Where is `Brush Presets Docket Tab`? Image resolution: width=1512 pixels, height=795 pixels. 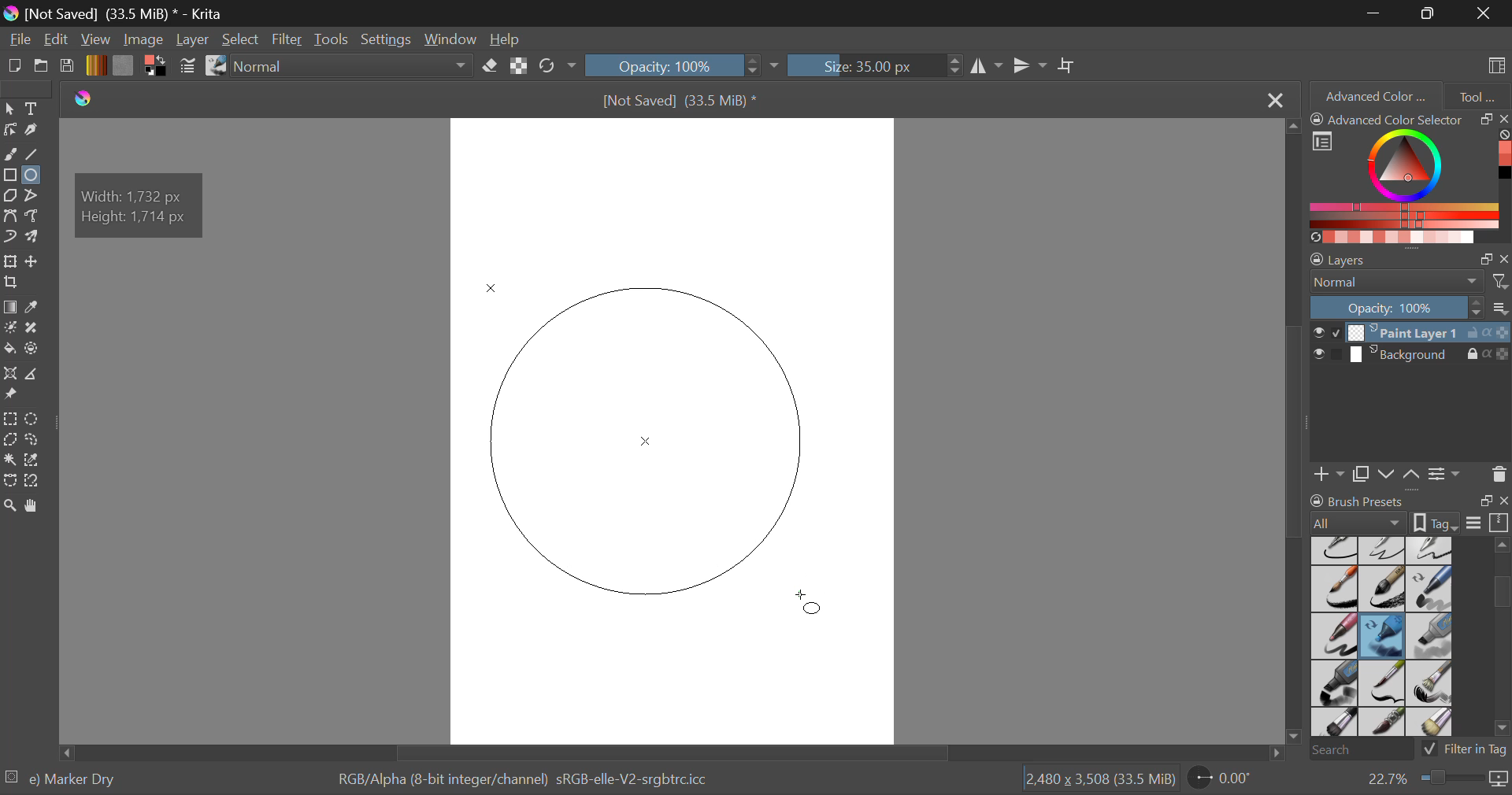
Brush Presets Docket Tab is located at coordinates (1409, 509).